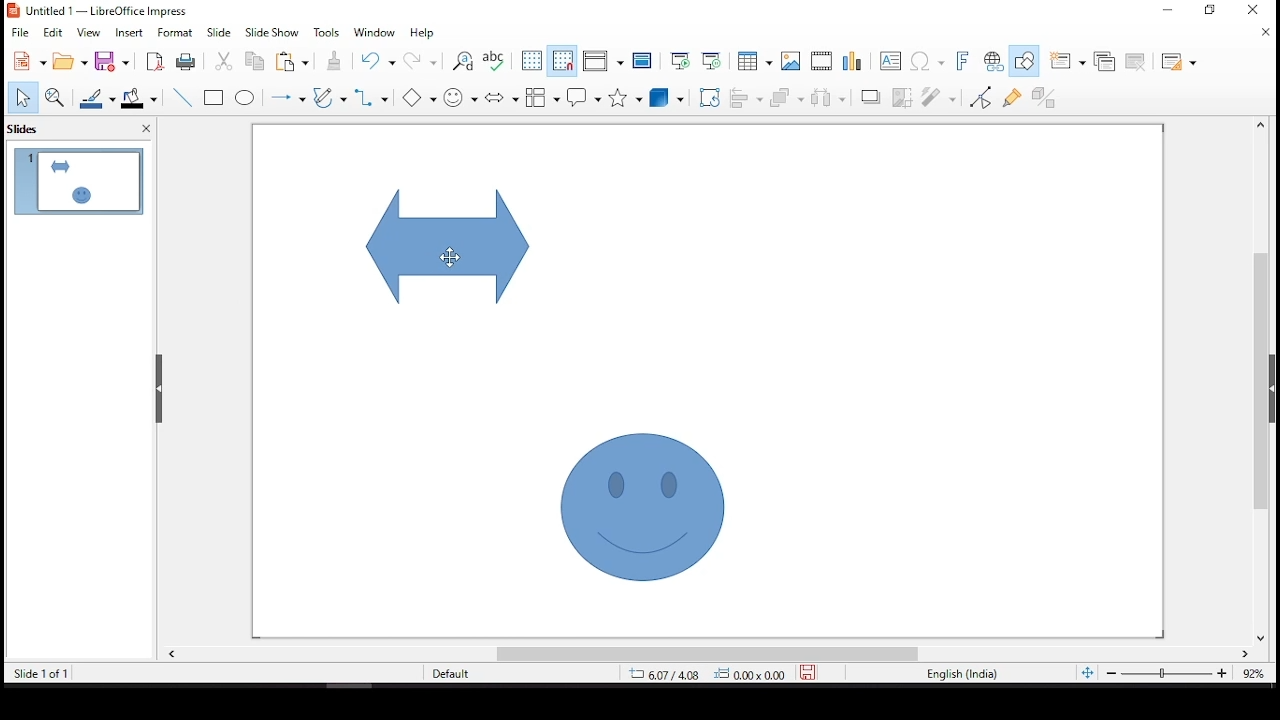 Image resolution: width=1280 pixels, height=720 pixels. Describe the element at coordinates (422, 36) in the screenshot. I see `help` at that location.